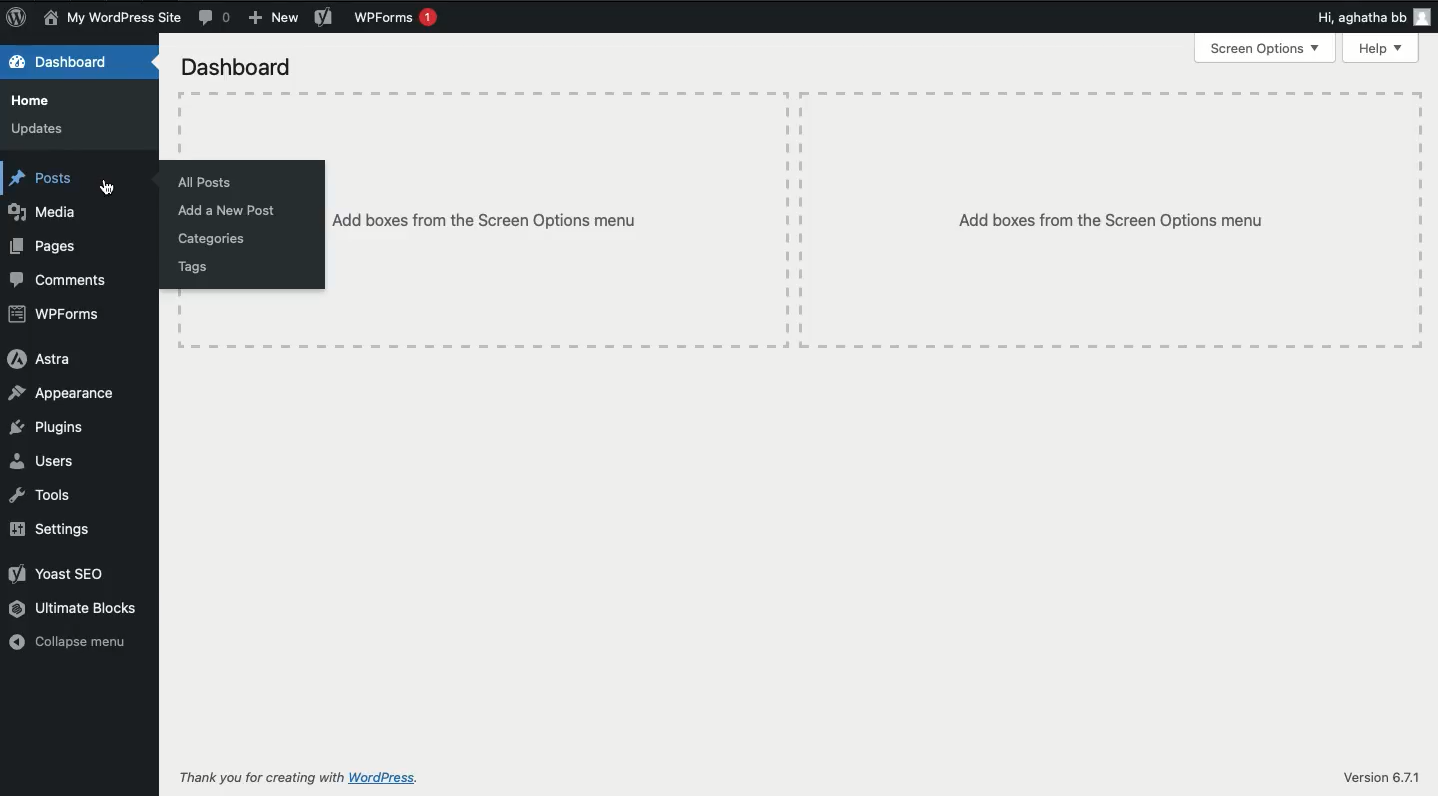 This screenshot has width=1438, height=796. Describe the element at coordinates (395, 19) in the screenshot. I see `WPForms` at that location.